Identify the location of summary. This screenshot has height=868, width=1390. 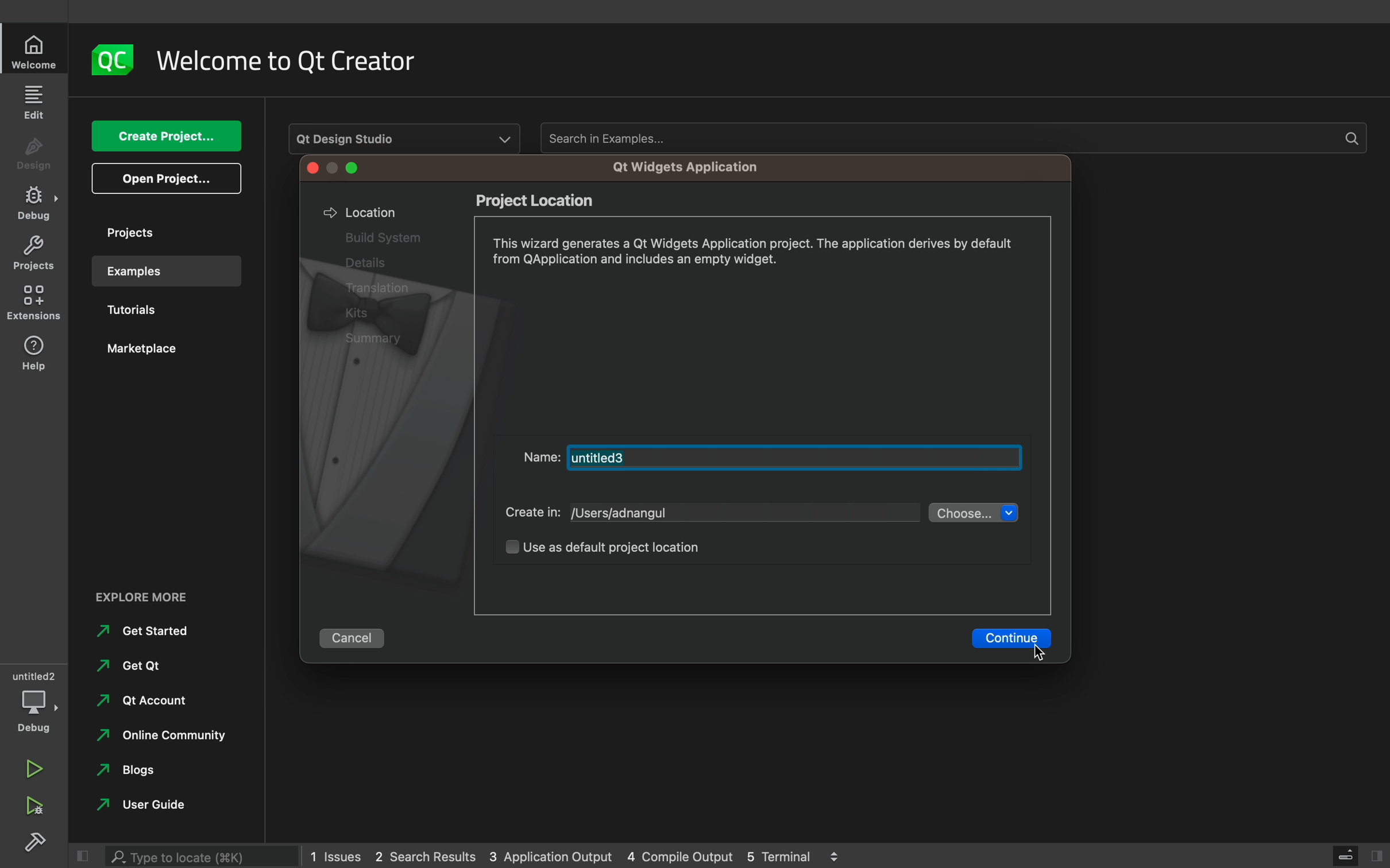
(381, 339).